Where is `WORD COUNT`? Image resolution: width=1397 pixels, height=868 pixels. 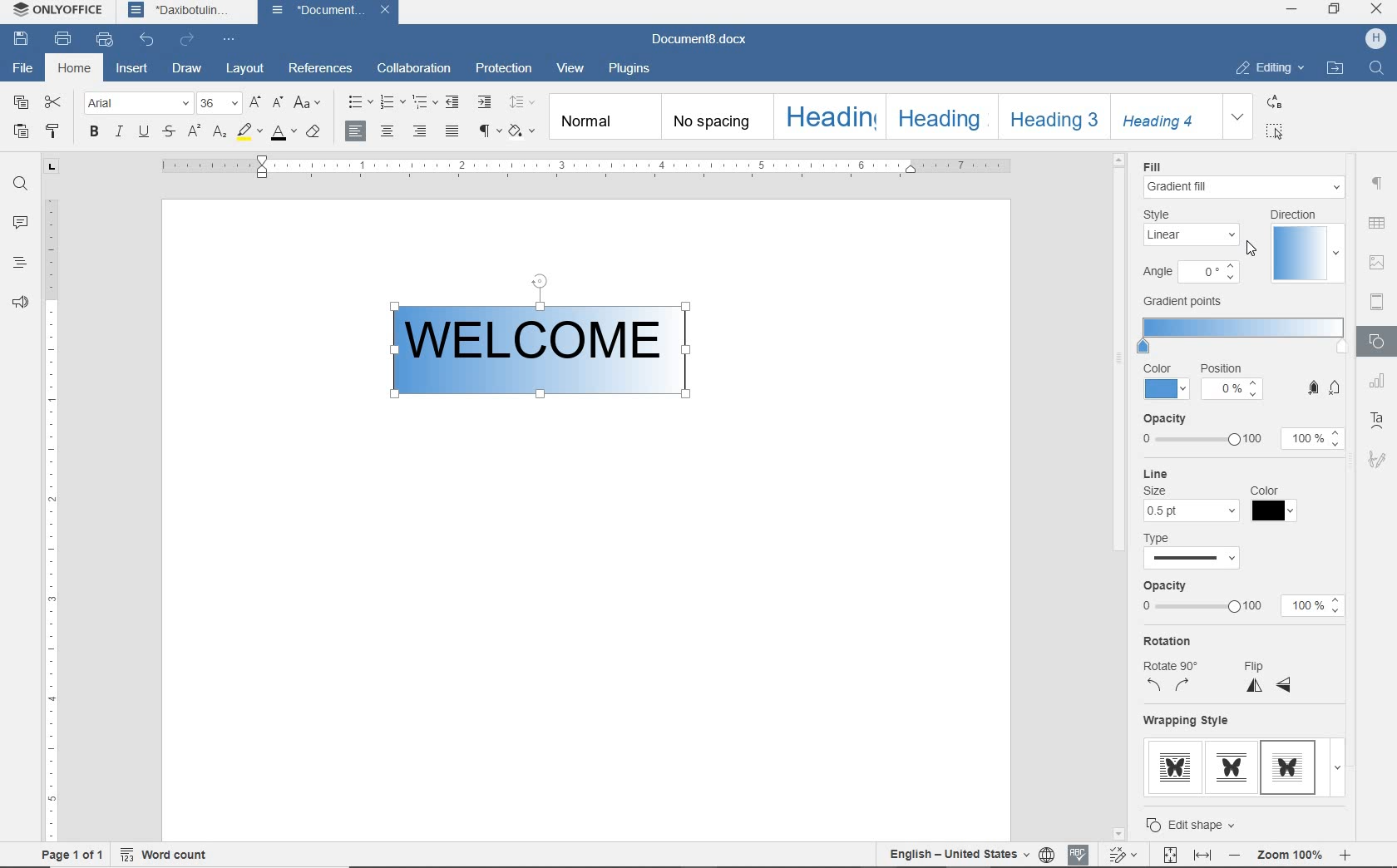 WORD COUNT is located at coordinates (165, 854).